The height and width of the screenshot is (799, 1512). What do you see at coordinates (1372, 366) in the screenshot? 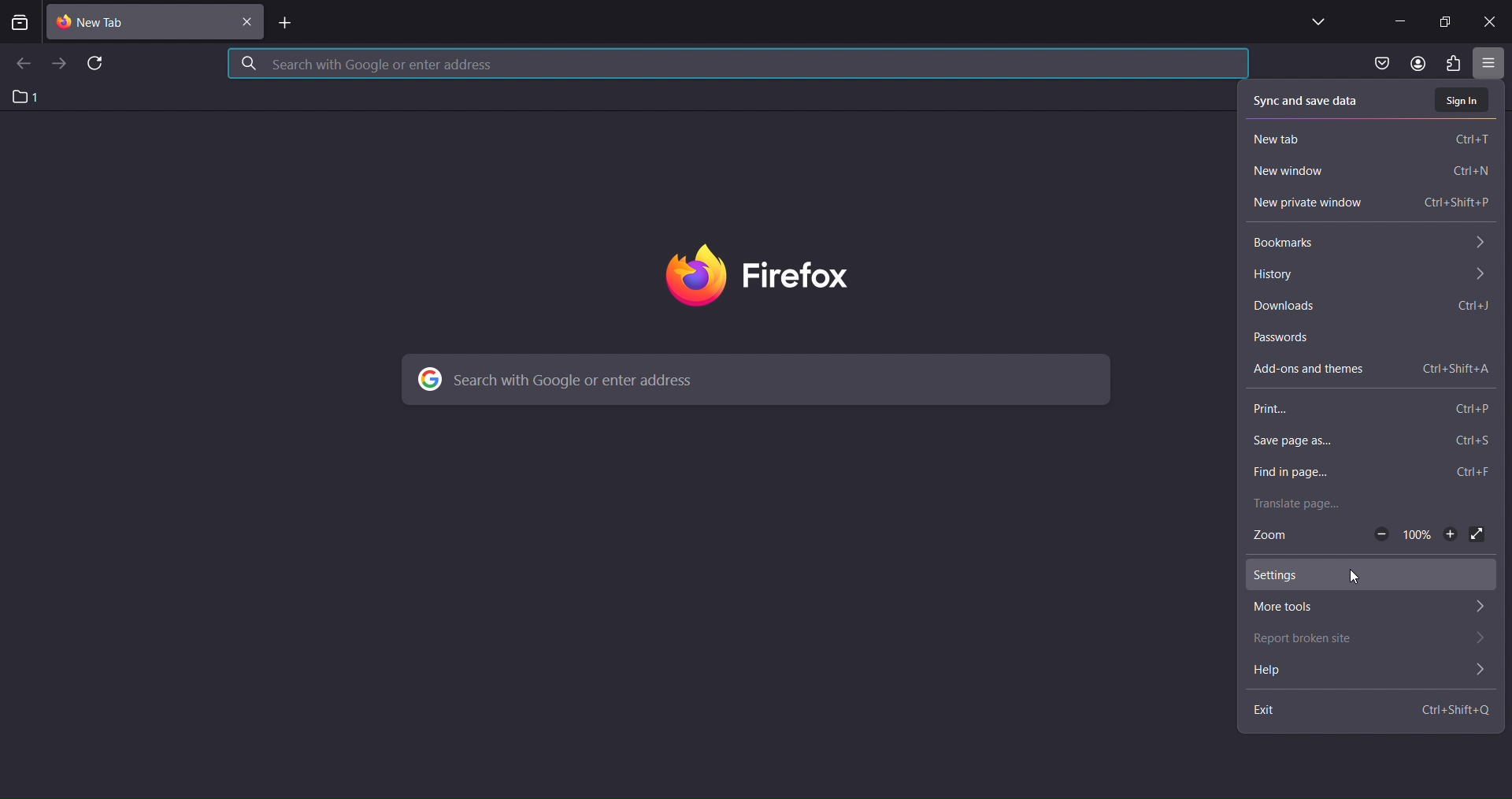
I see `add ons and themes` at bounding box center [1372, 366].